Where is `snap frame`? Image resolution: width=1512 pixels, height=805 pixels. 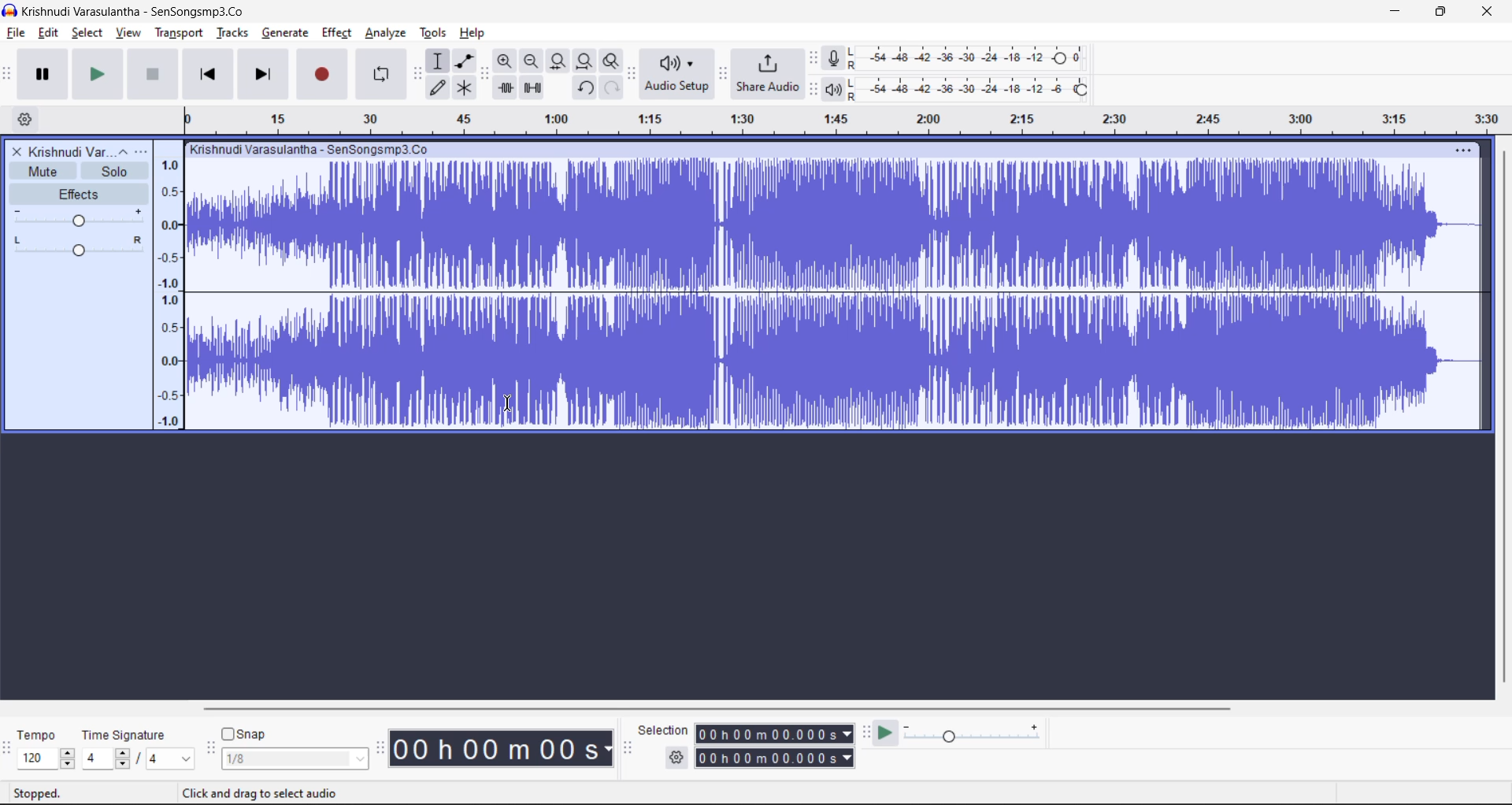
snap frame is located at coordinates (295, 759).